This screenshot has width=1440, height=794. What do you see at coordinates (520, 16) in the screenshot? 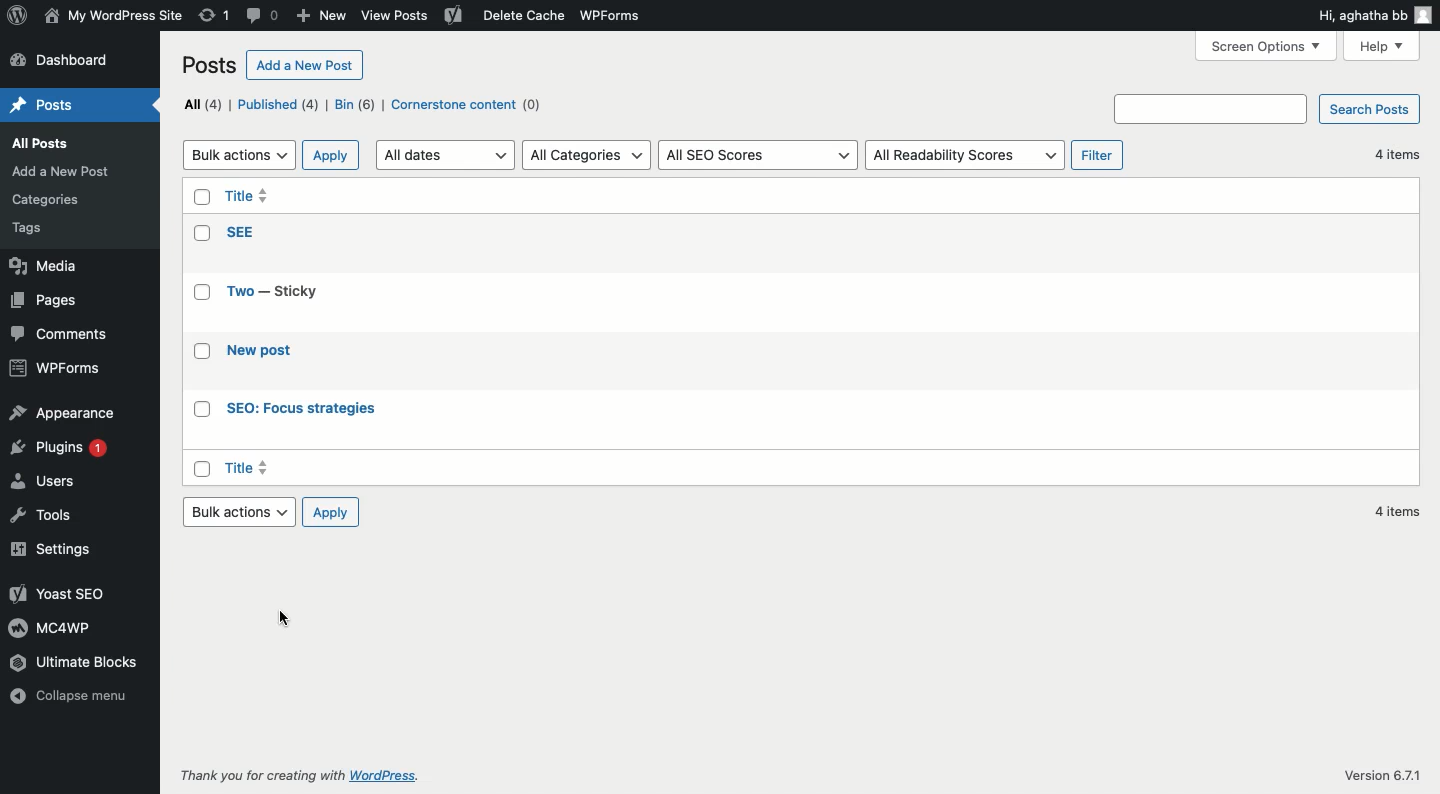
I see `Delete cache` at bounding box center [520, 16].